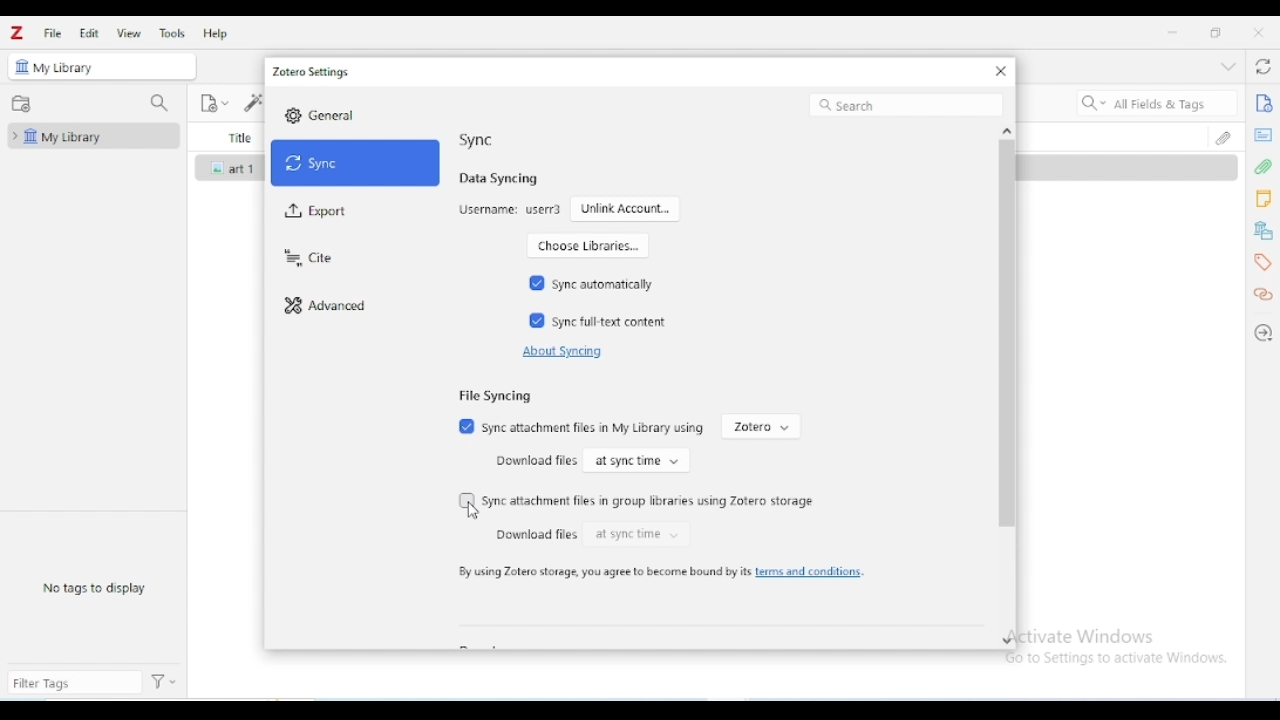 This screenshot has width=1280, height=720. What do you see at coordinates (1155, 103) in the screenshot?
I see `search all fields & tags` at bounding box center [1155, 103].